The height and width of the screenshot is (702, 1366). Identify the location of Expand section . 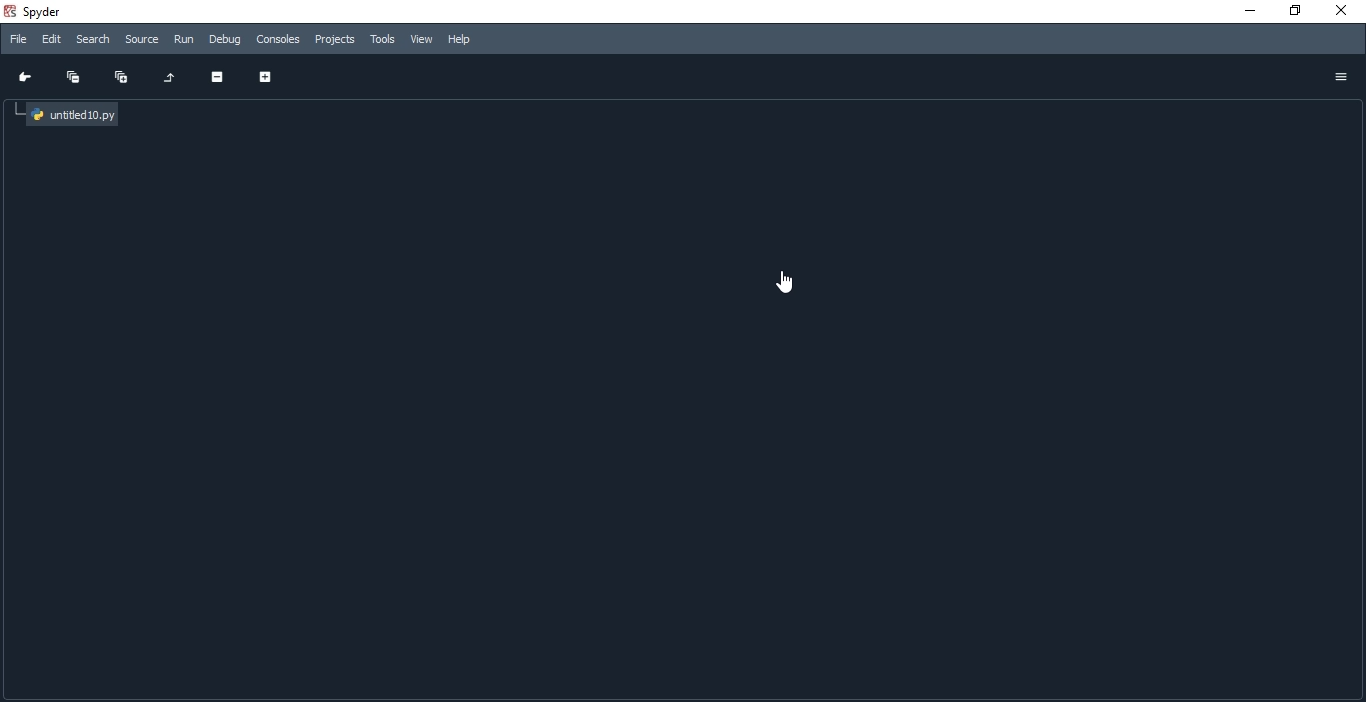
(270, 79).